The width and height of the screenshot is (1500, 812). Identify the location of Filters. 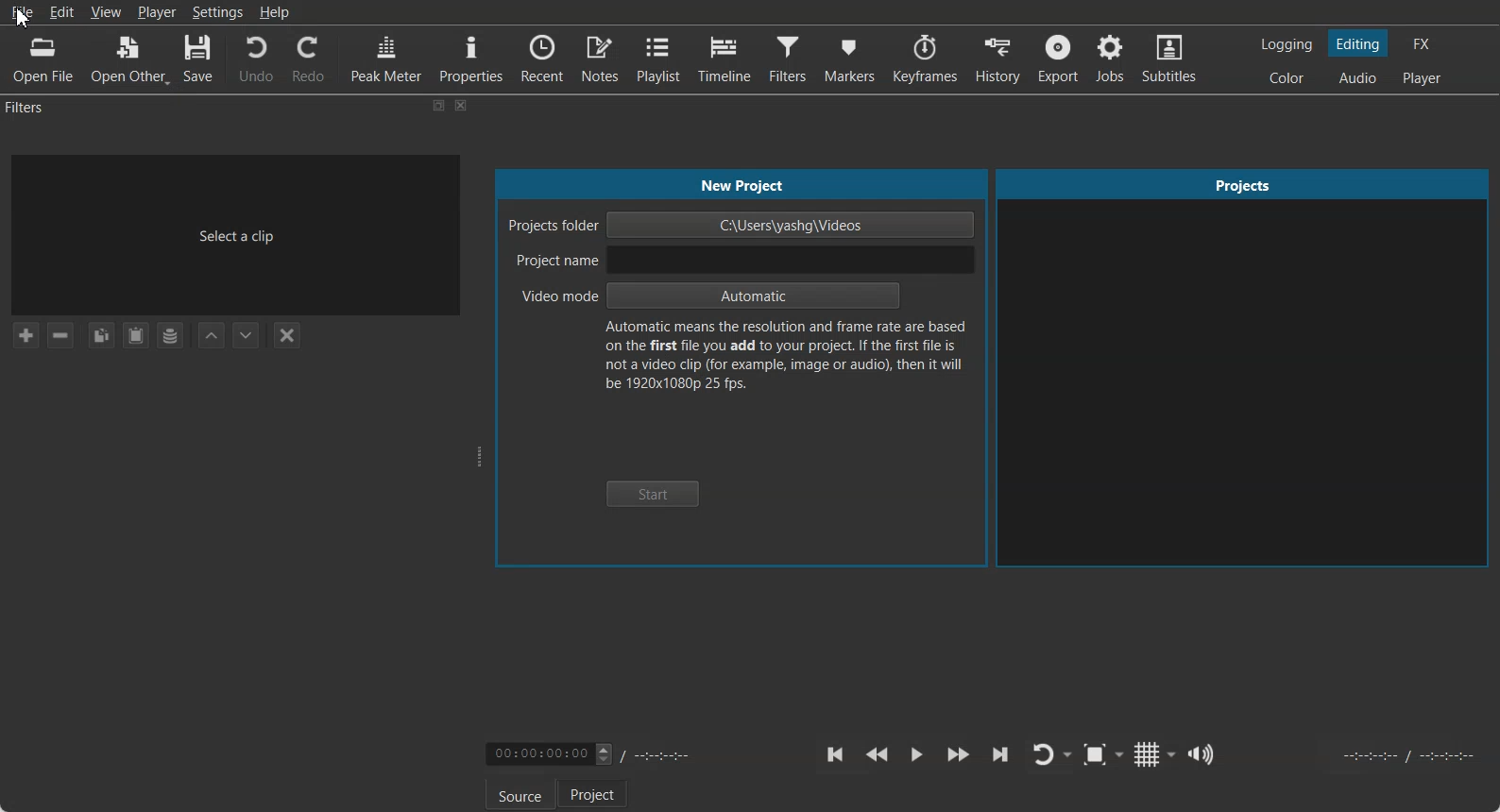
(43, 106).